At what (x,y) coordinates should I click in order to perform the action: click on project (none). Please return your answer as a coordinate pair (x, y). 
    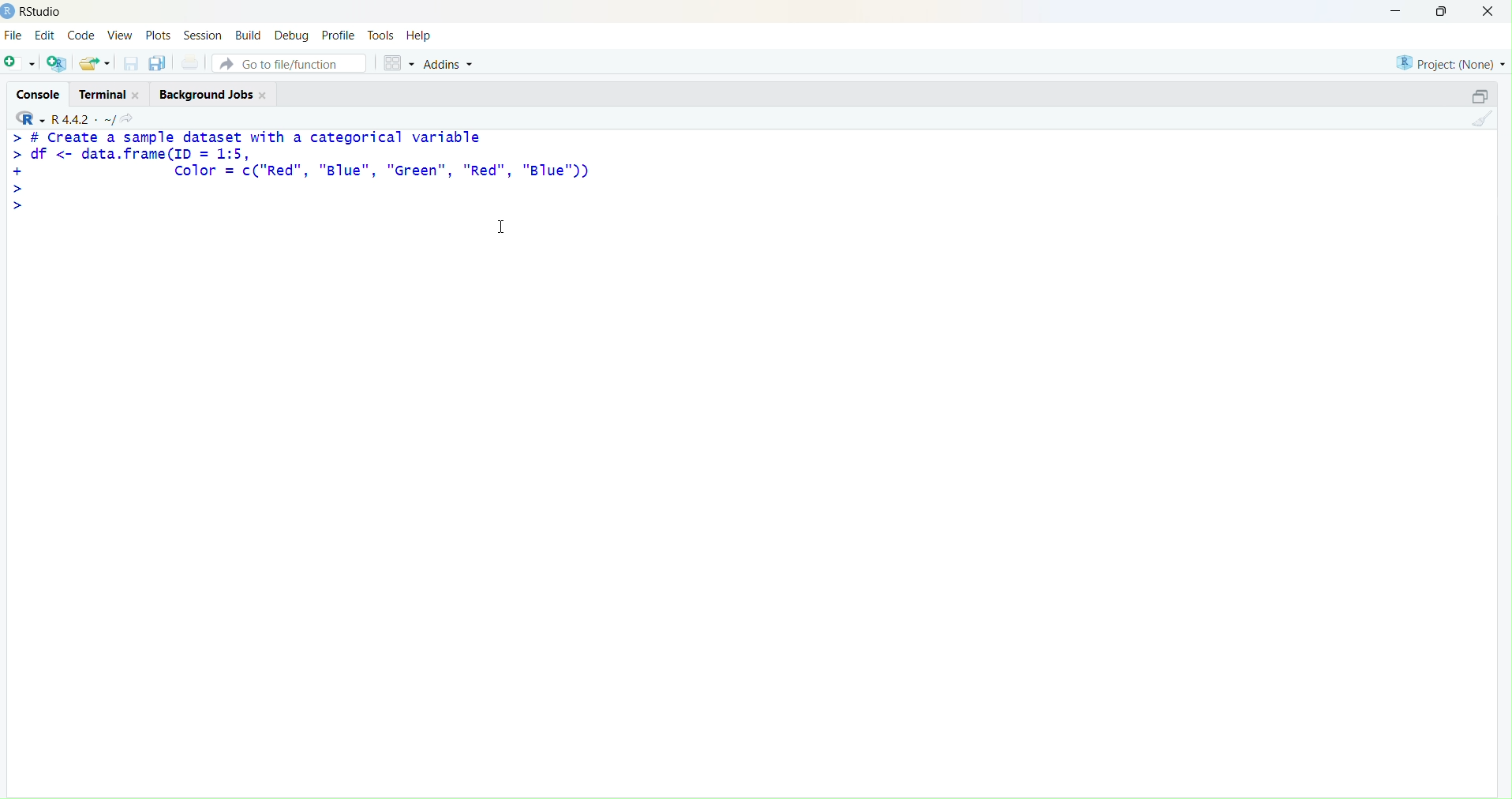
    Looking at the image, I should click on (1451, 63).